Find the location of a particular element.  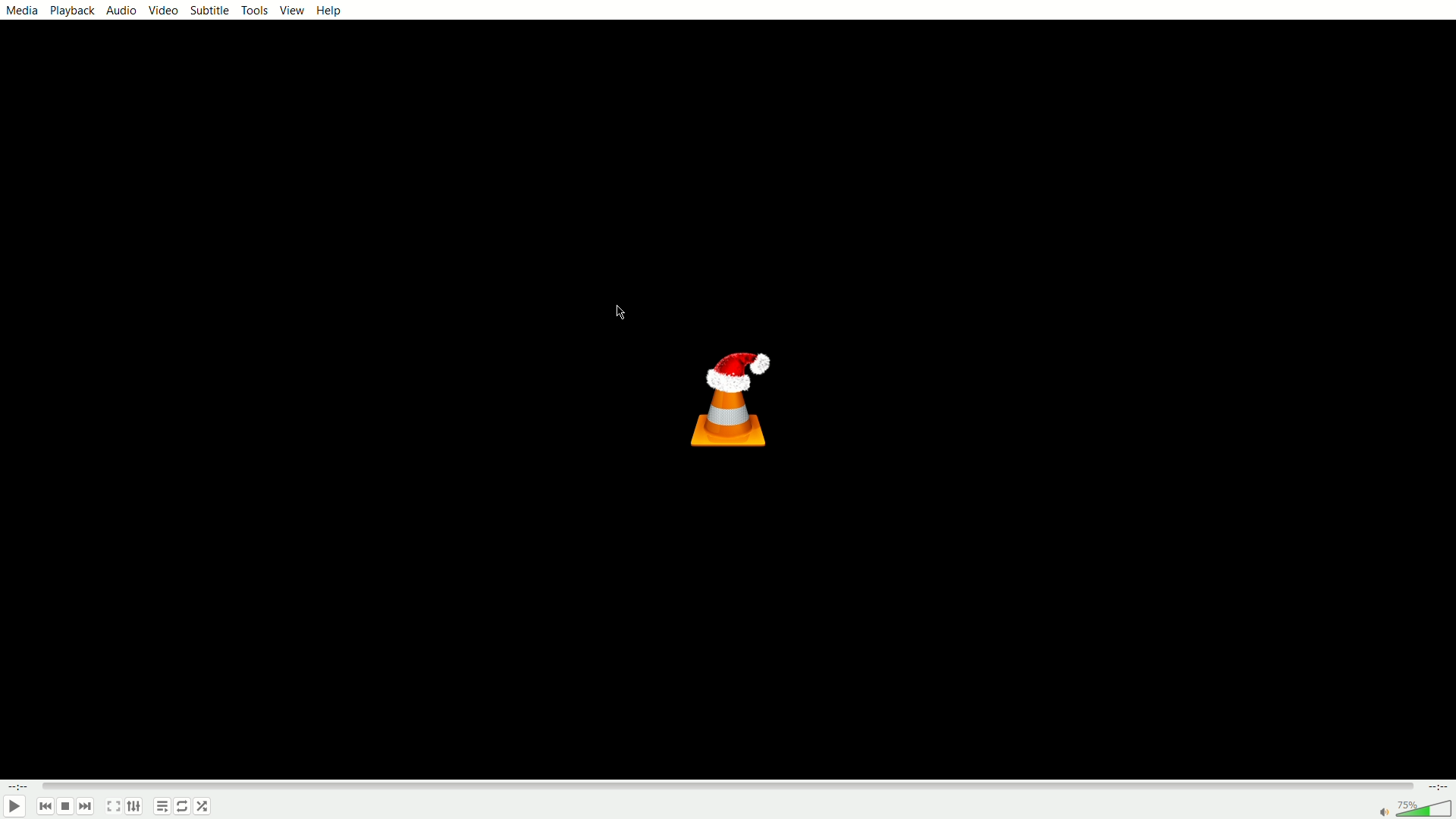

subtitle is located at coordinates (212, 11).